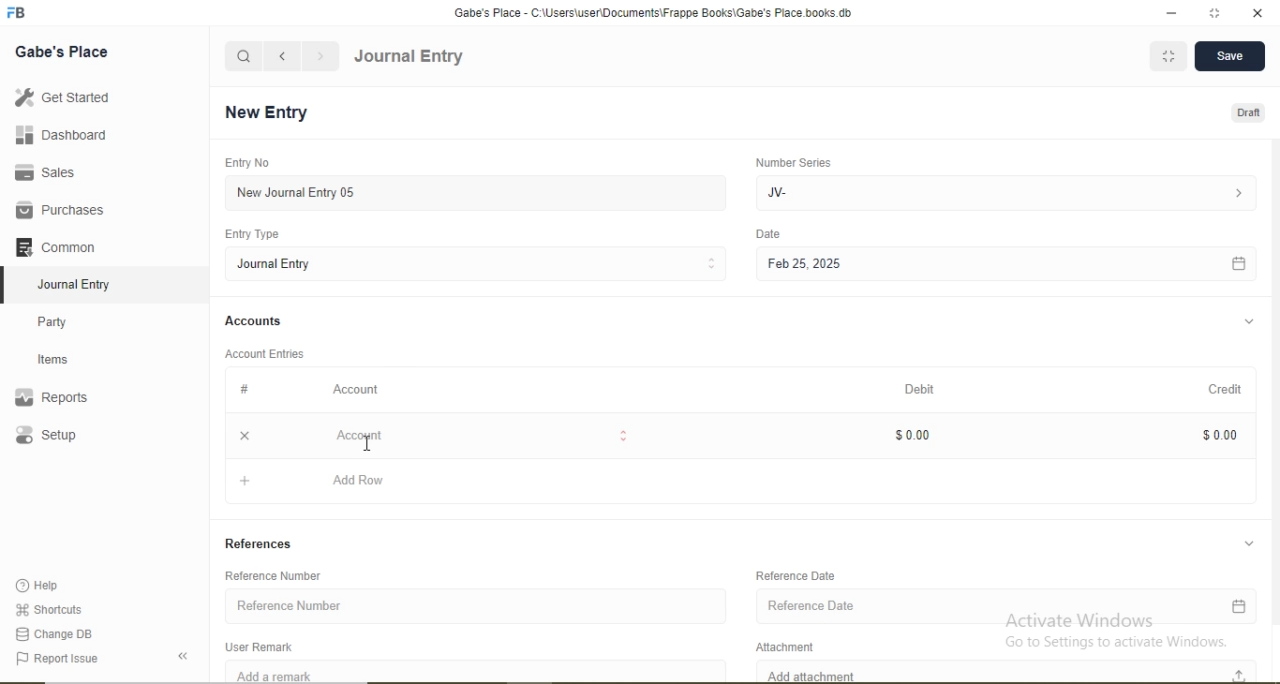  Describe the element at coordinates (478, 263) in the screenshot. I see `Journal Entry` at that location.